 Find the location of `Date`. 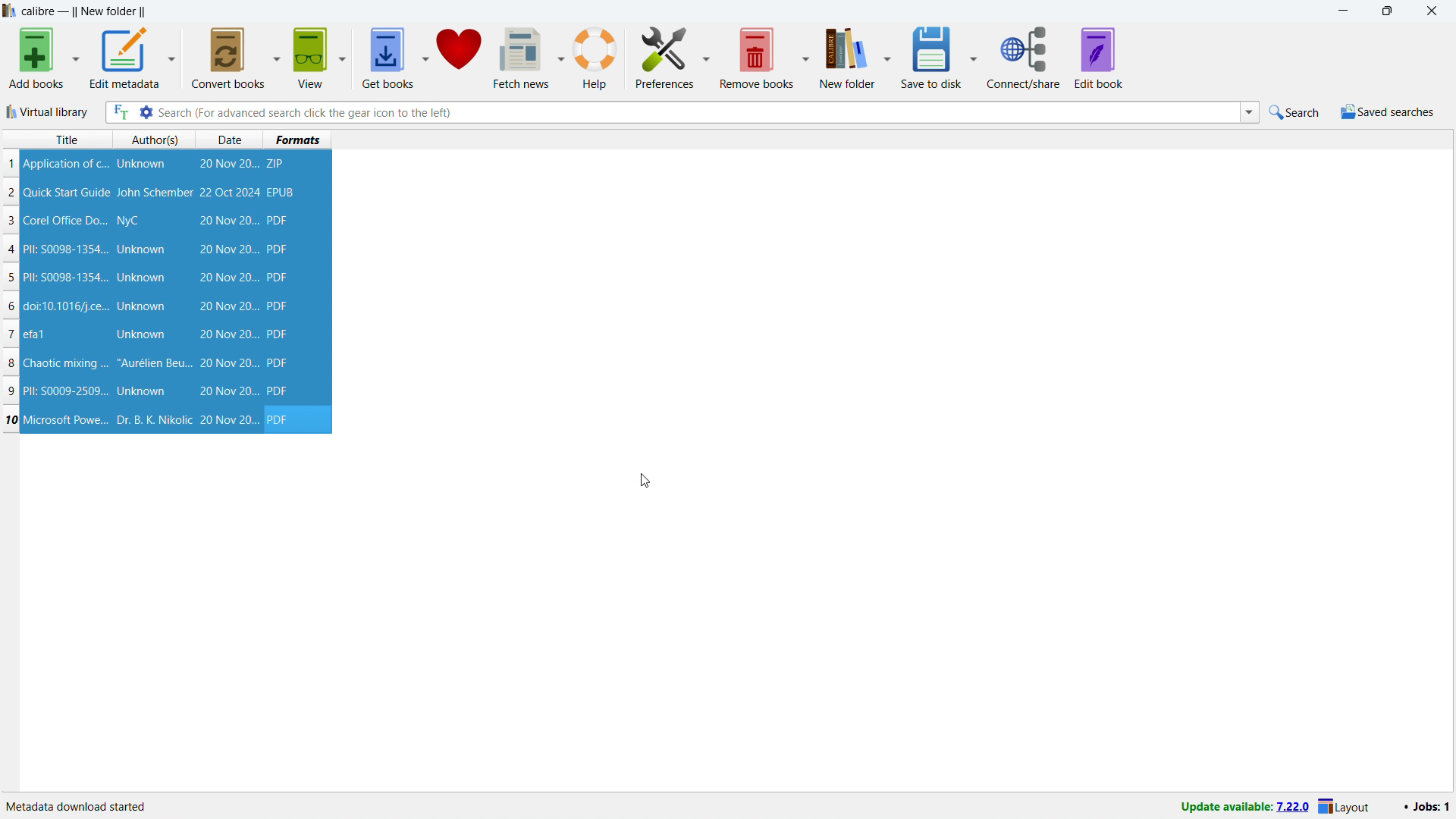

Date is located at coordinates (232, 140).